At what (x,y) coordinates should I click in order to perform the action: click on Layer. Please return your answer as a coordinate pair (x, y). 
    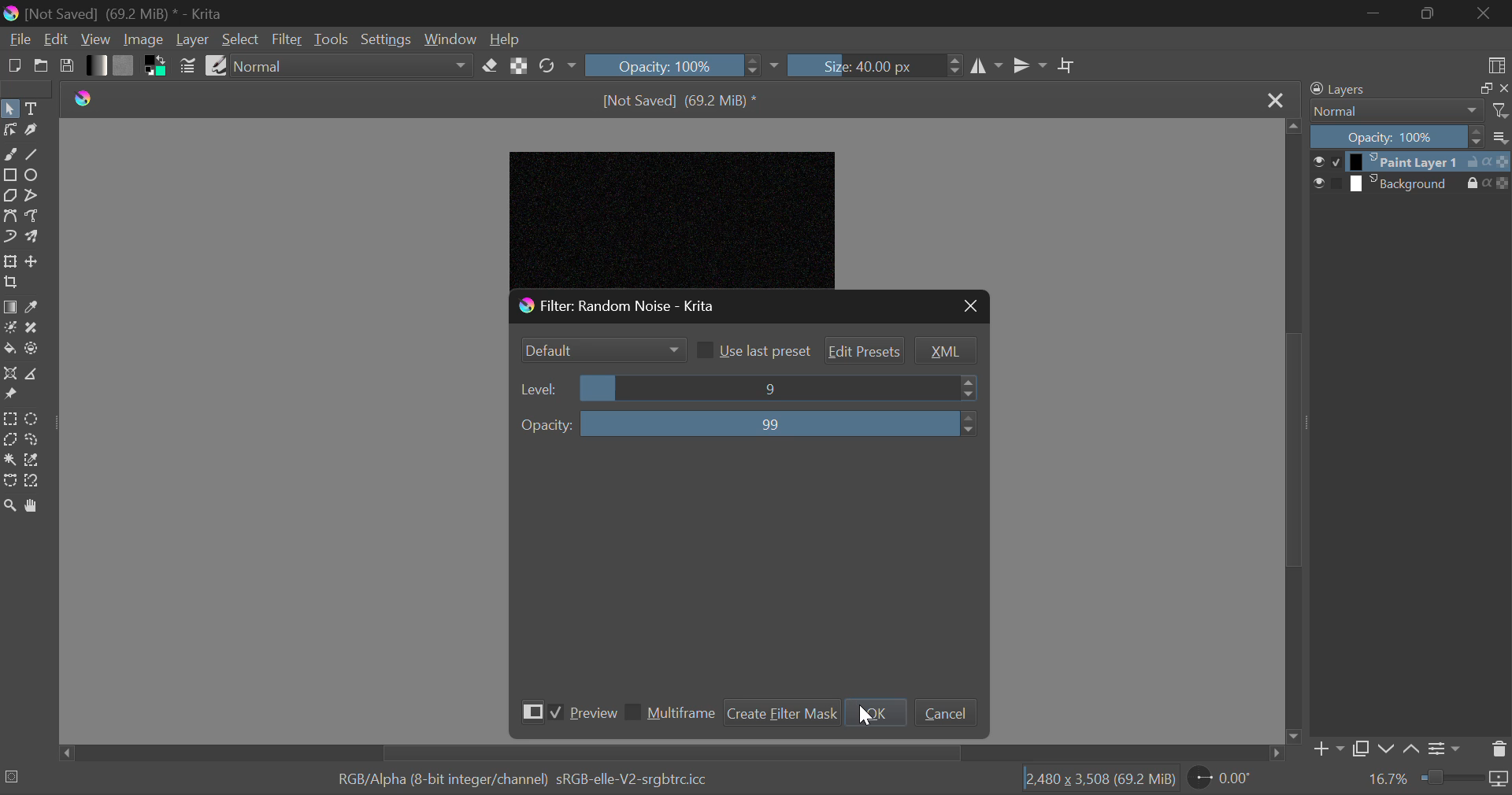
    Looking at the image, I should click on (193, 40).